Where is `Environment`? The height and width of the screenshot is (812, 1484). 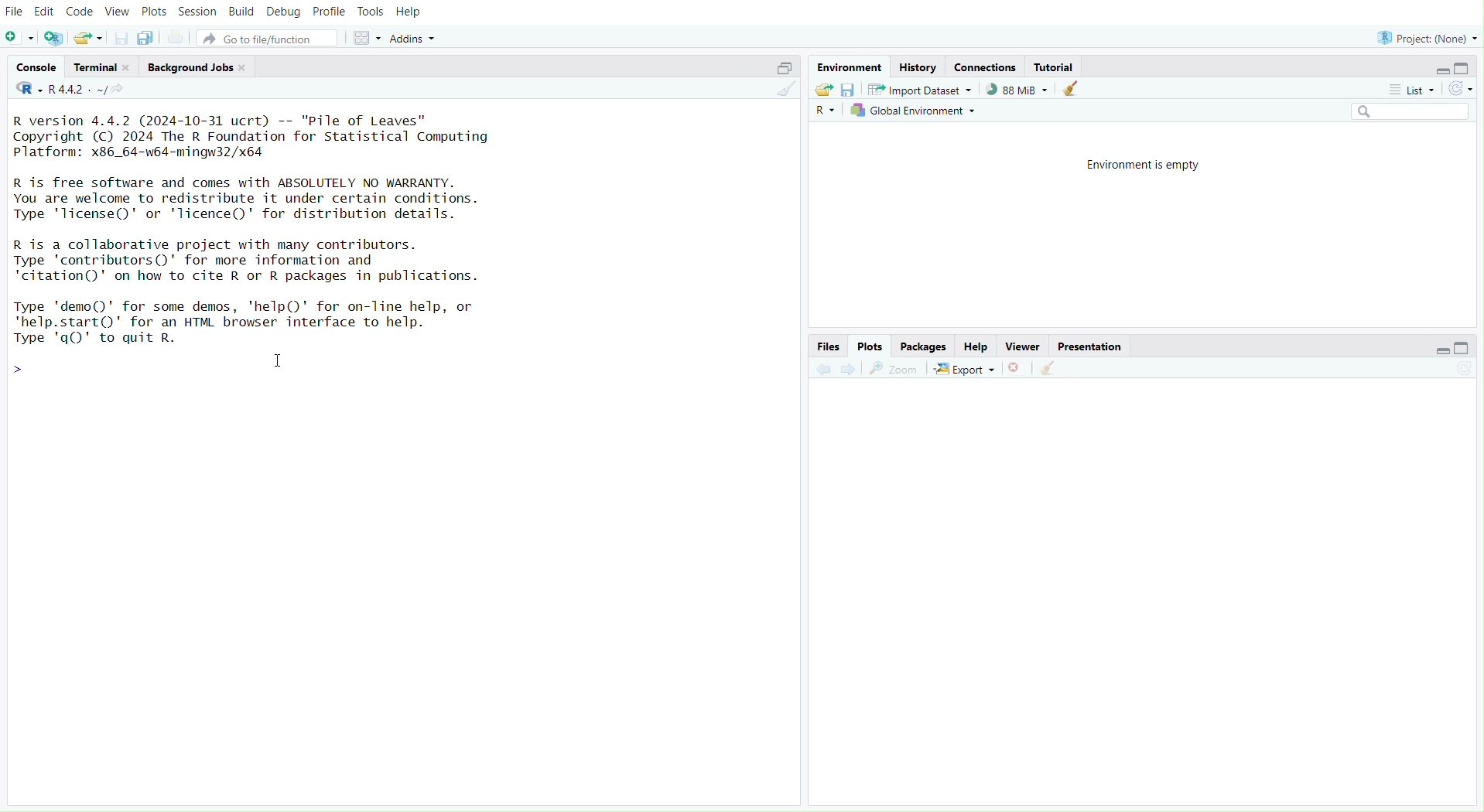 Environment is located at coordinates (848, 67).